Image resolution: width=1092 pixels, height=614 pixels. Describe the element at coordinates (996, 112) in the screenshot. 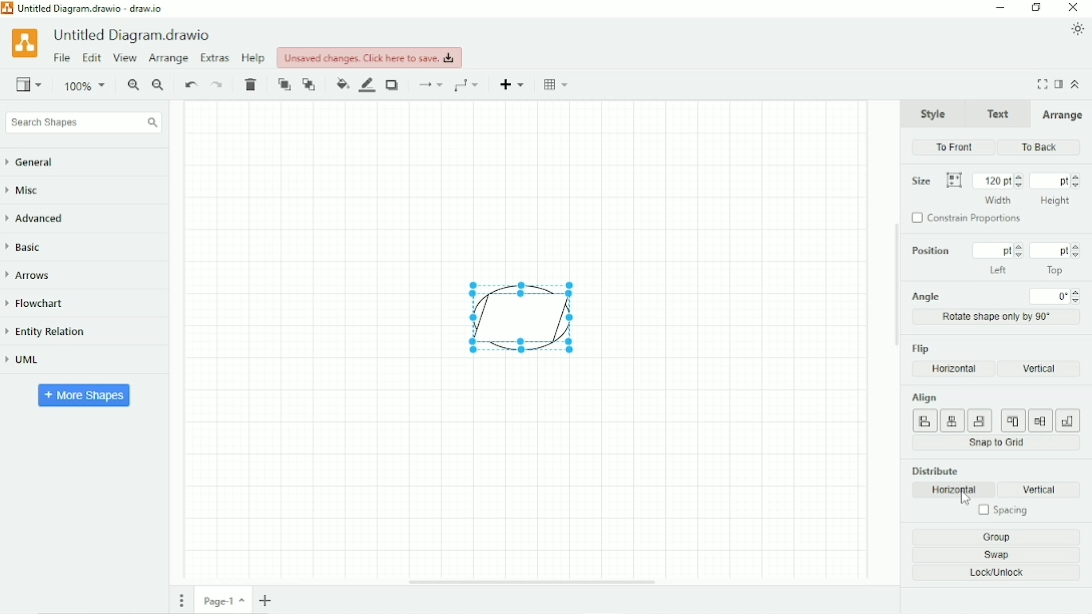

I see `Text` at that location.